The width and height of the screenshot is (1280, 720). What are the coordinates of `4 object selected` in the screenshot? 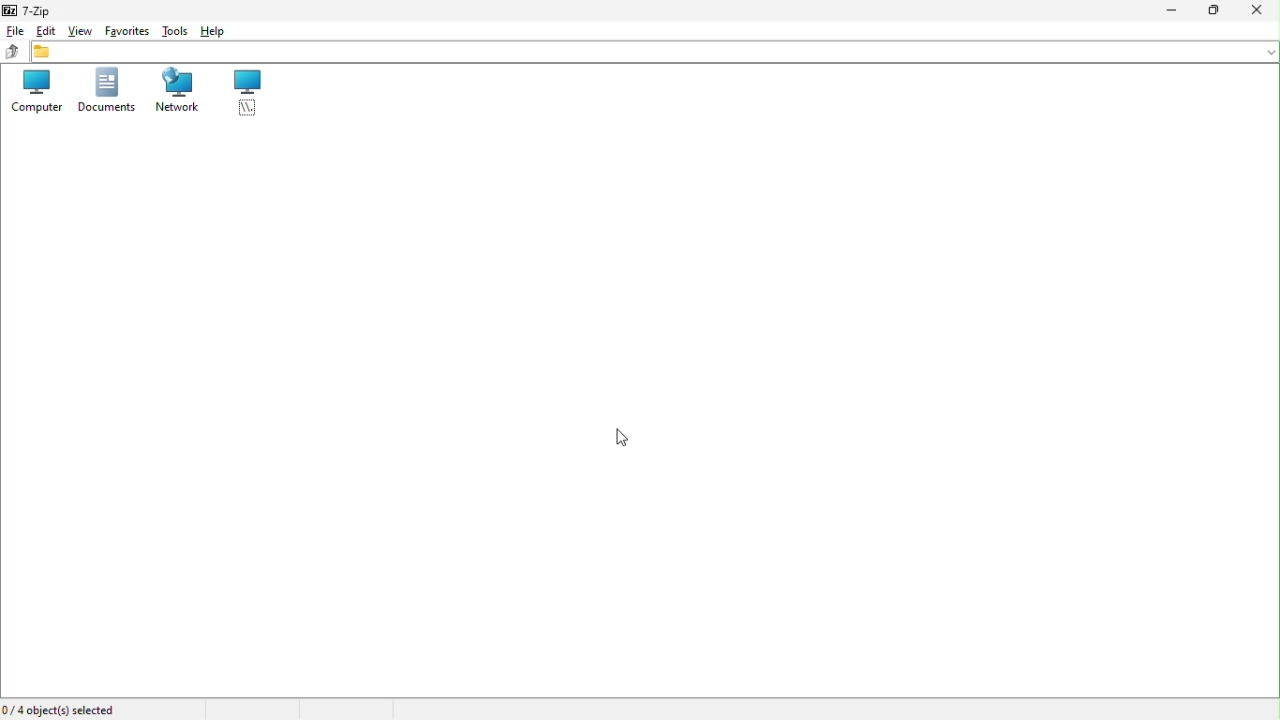 It's located at (64, 709).